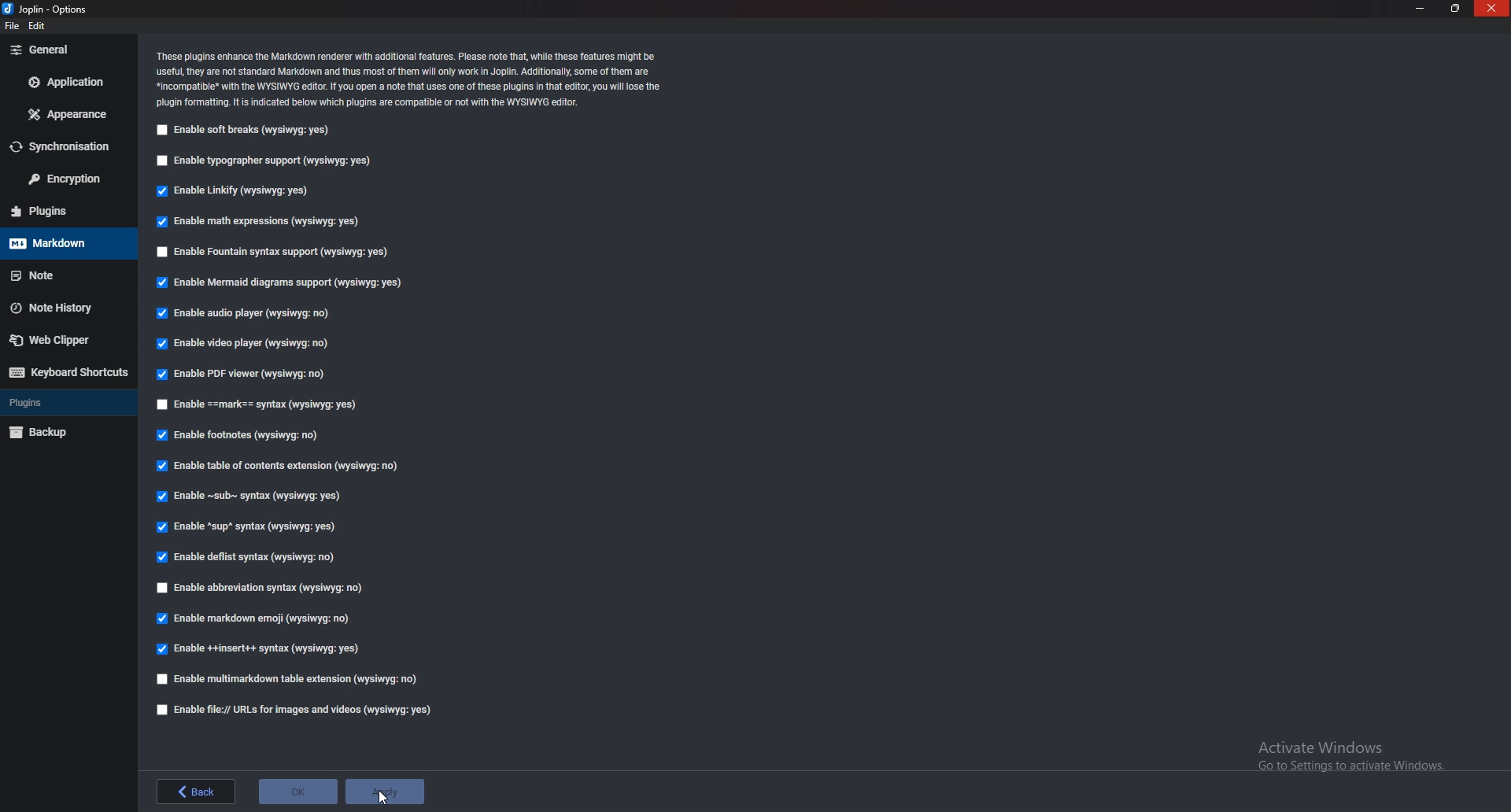 Image resolution: width=1511 pixels, height=812 pixels. I want to click on Enable mermaid diagrams, so click(283, 282).